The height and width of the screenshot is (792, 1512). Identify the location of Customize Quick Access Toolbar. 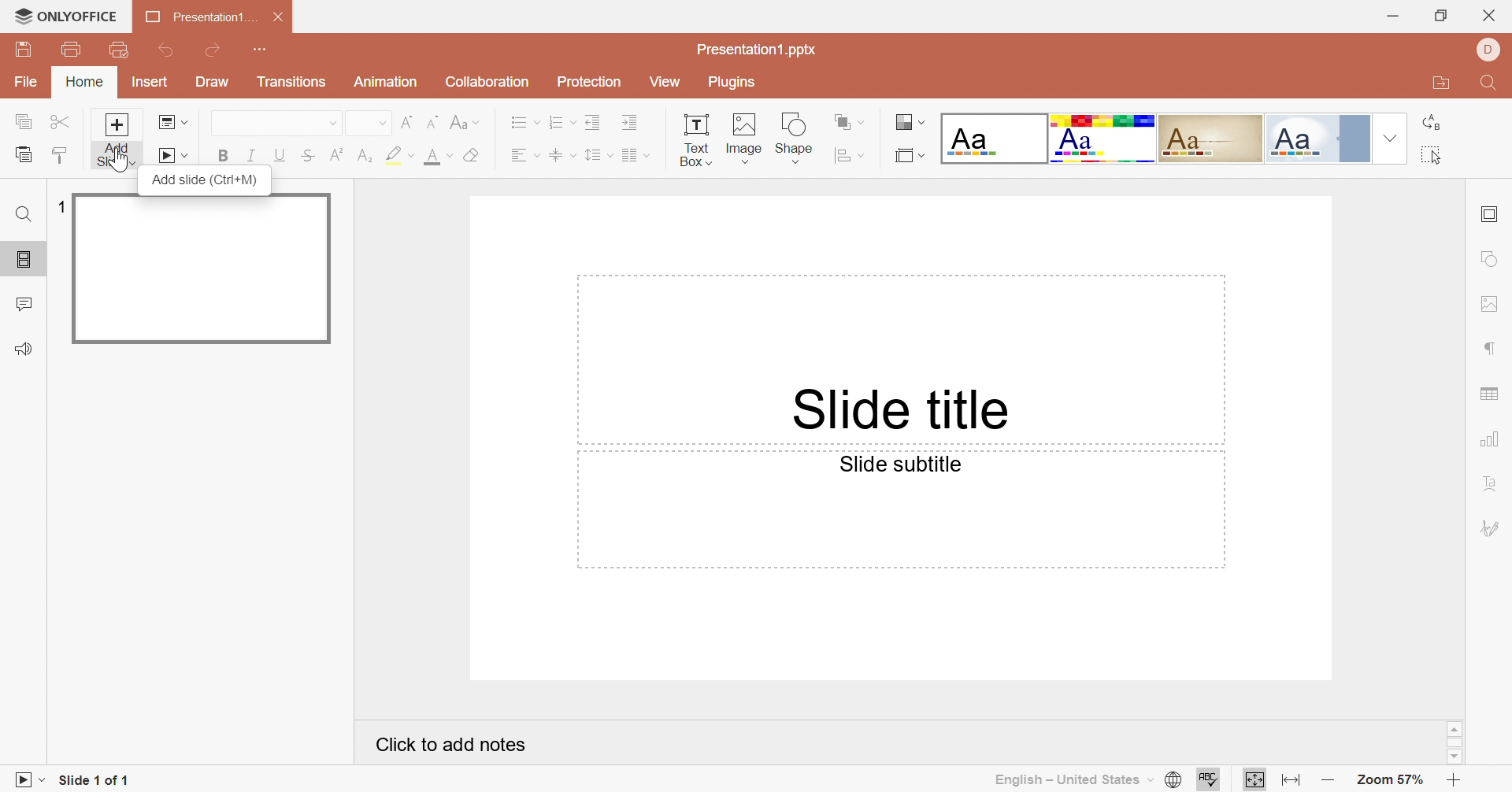
(261, 51).